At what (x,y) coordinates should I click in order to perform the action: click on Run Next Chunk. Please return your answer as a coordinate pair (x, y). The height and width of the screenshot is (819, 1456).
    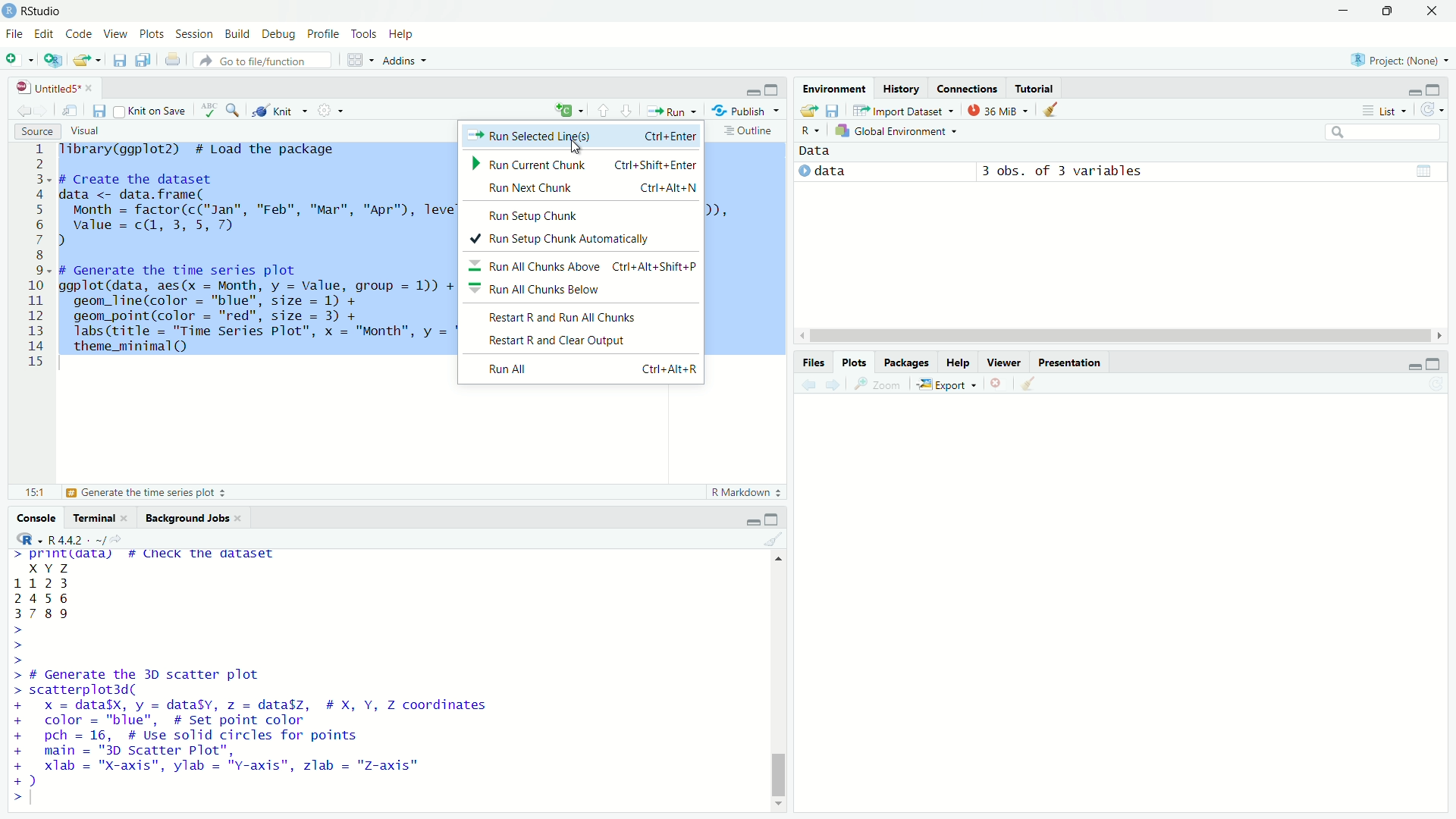
    Looking at the image, I should click on (586, 189).